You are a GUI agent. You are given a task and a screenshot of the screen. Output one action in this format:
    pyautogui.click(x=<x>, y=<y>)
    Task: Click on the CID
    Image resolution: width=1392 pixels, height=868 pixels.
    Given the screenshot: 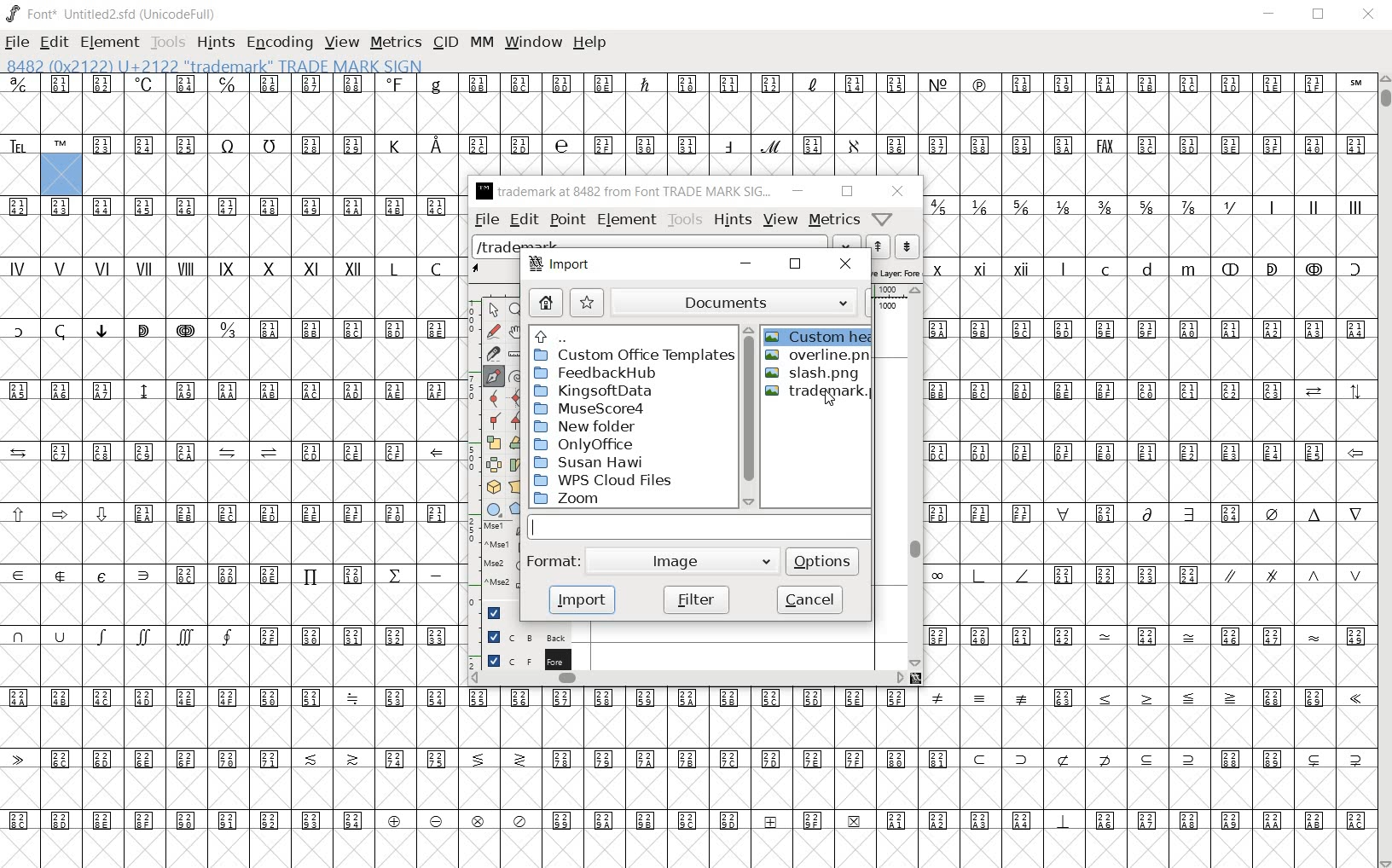 What is the action you would take?
    pyautogui.click(x=445, y=45)
    